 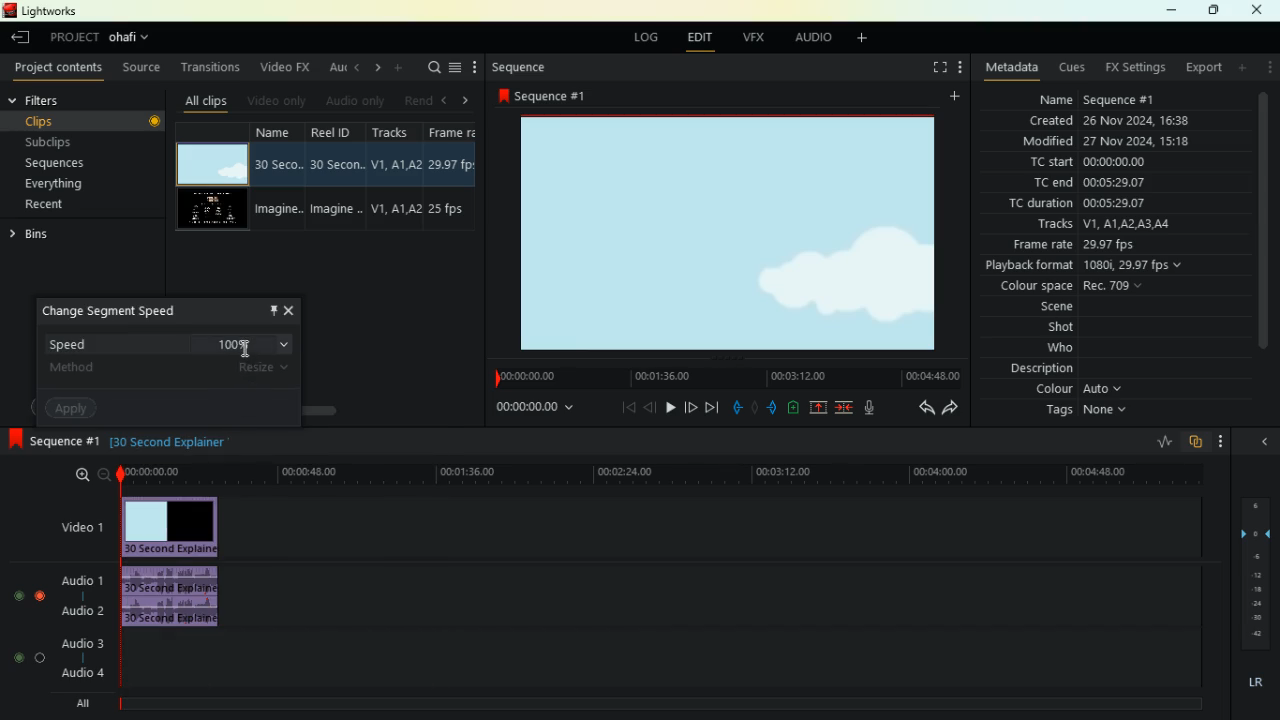 I want to click on bins, so click(x=46, y=234).